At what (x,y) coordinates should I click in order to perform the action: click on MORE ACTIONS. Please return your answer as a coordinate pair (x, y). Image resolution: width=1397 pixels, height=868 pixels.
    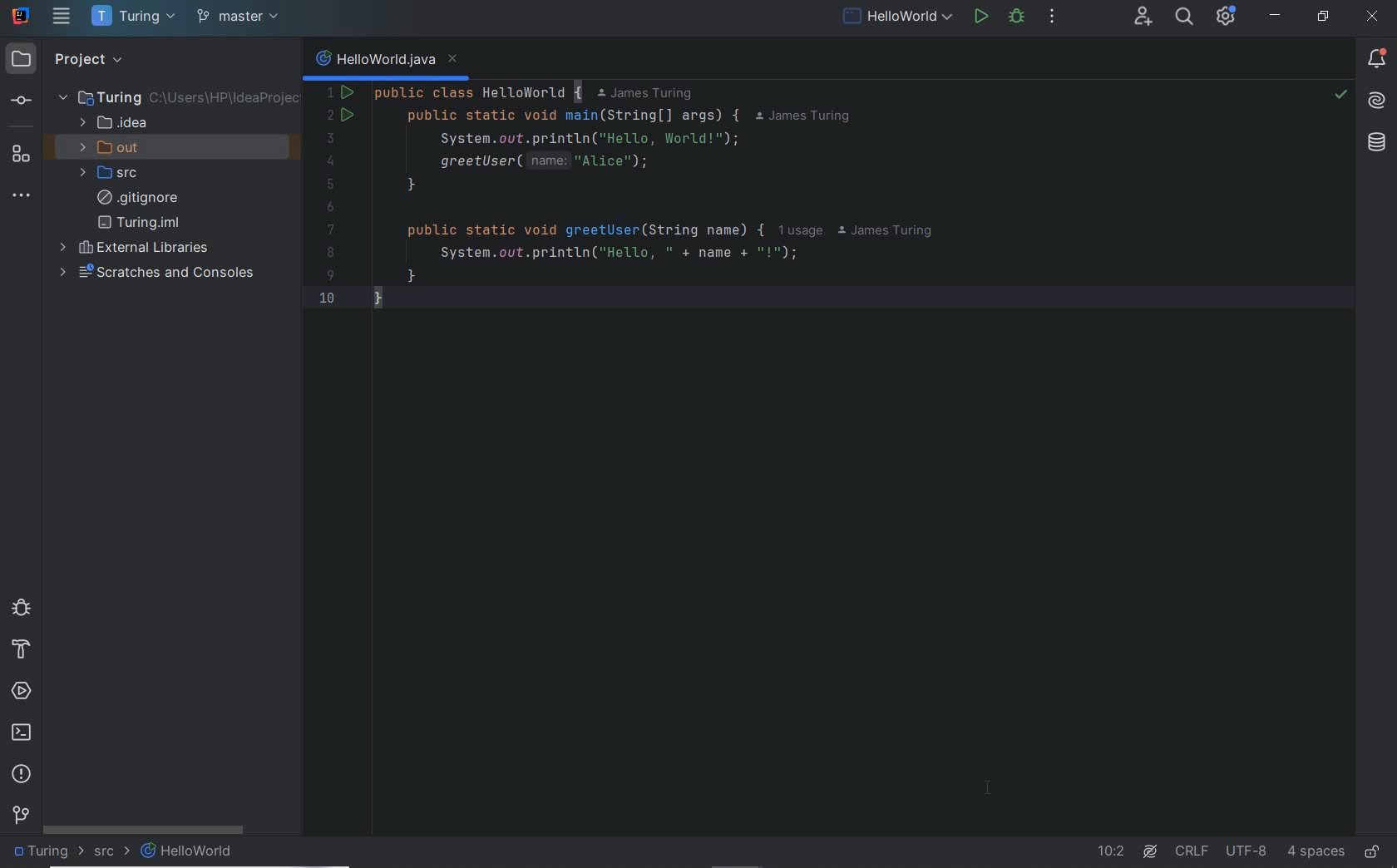
    Looking at the image, I should click on (1052, 15).